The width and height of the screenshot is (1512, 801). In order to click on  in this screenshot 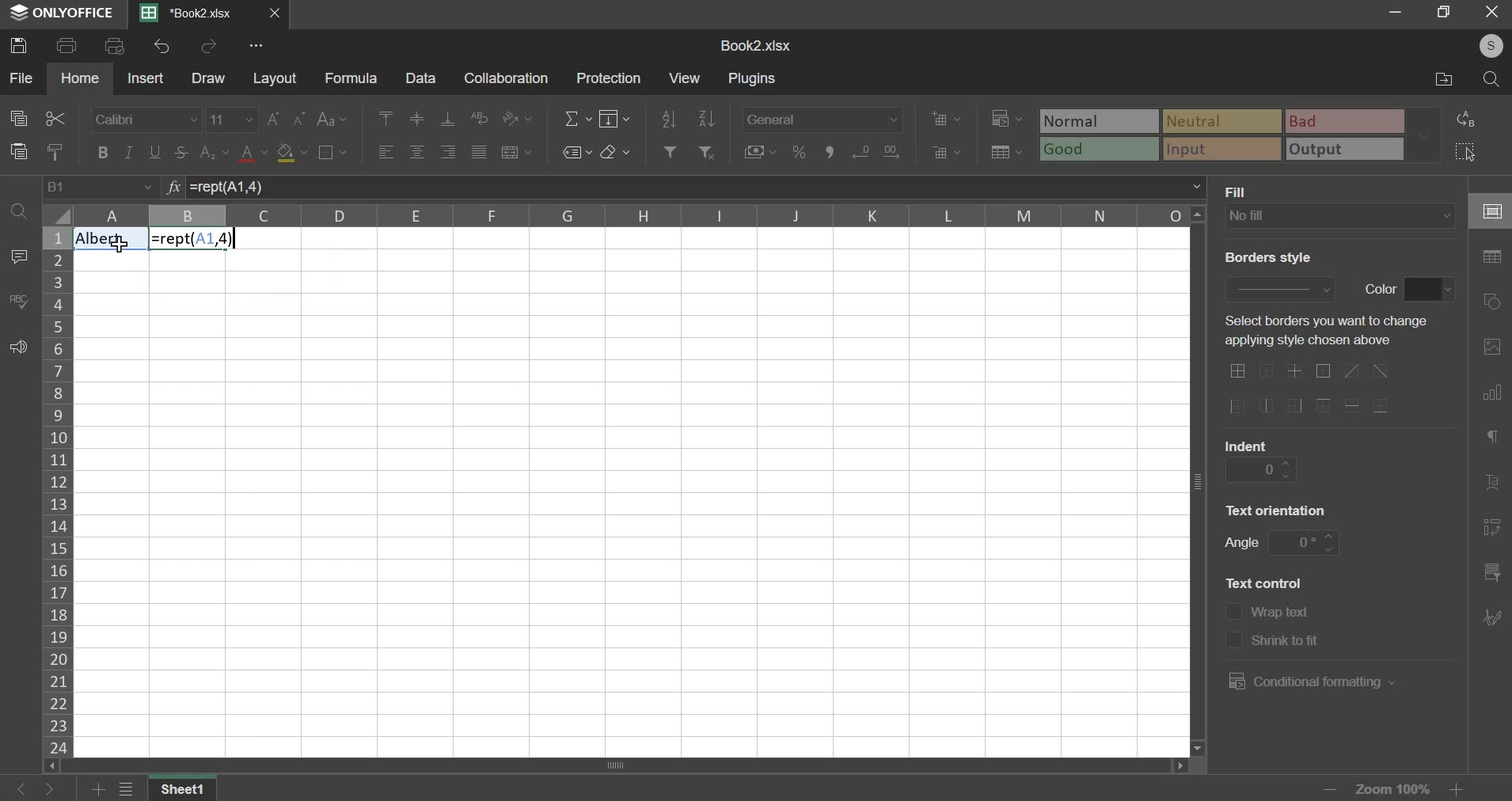, I will do `click(1495, 618)`.